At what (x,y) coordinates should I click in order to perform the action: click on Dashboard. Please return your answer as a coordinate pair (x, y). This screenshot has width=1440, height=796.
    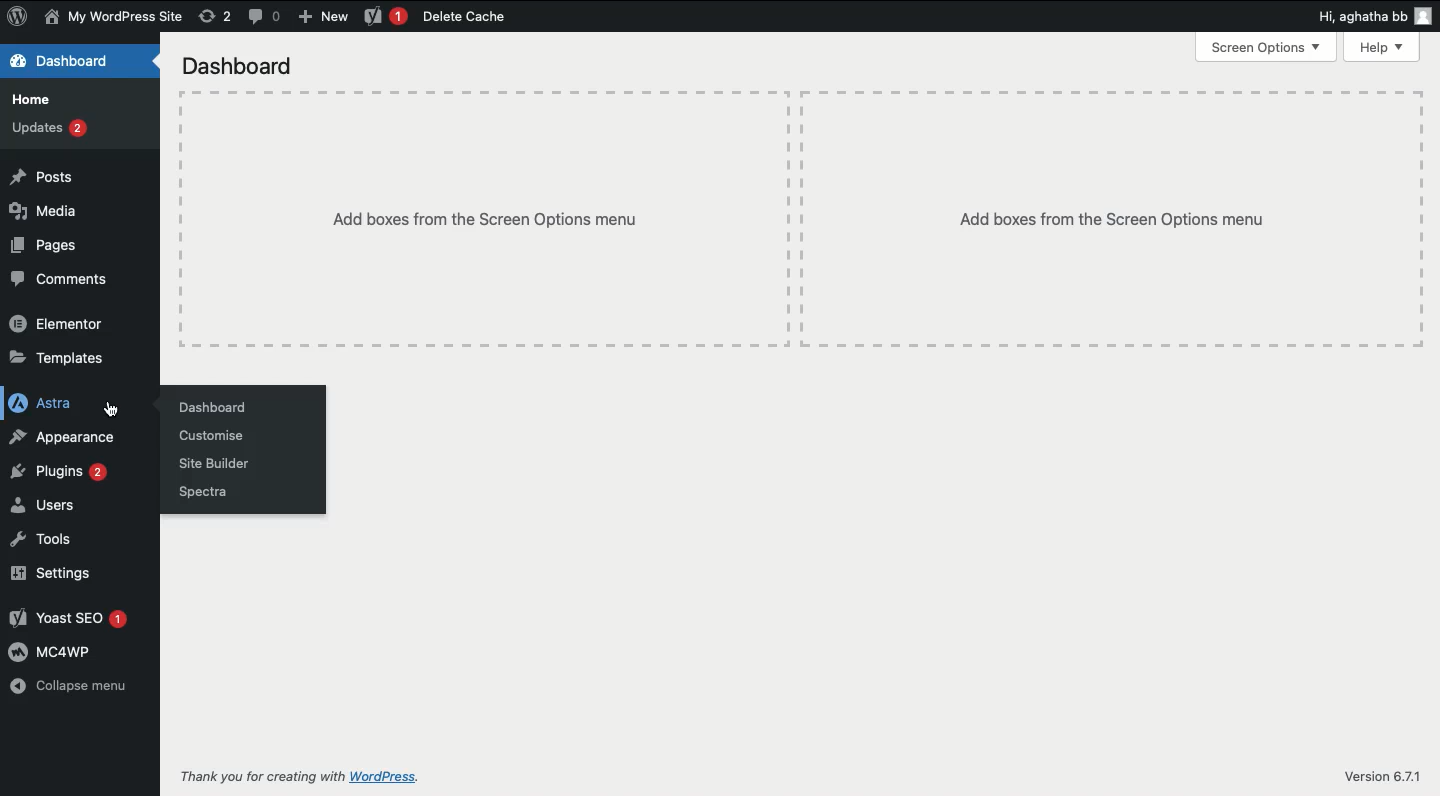
    Looking at the image, I should click on (62, 61).